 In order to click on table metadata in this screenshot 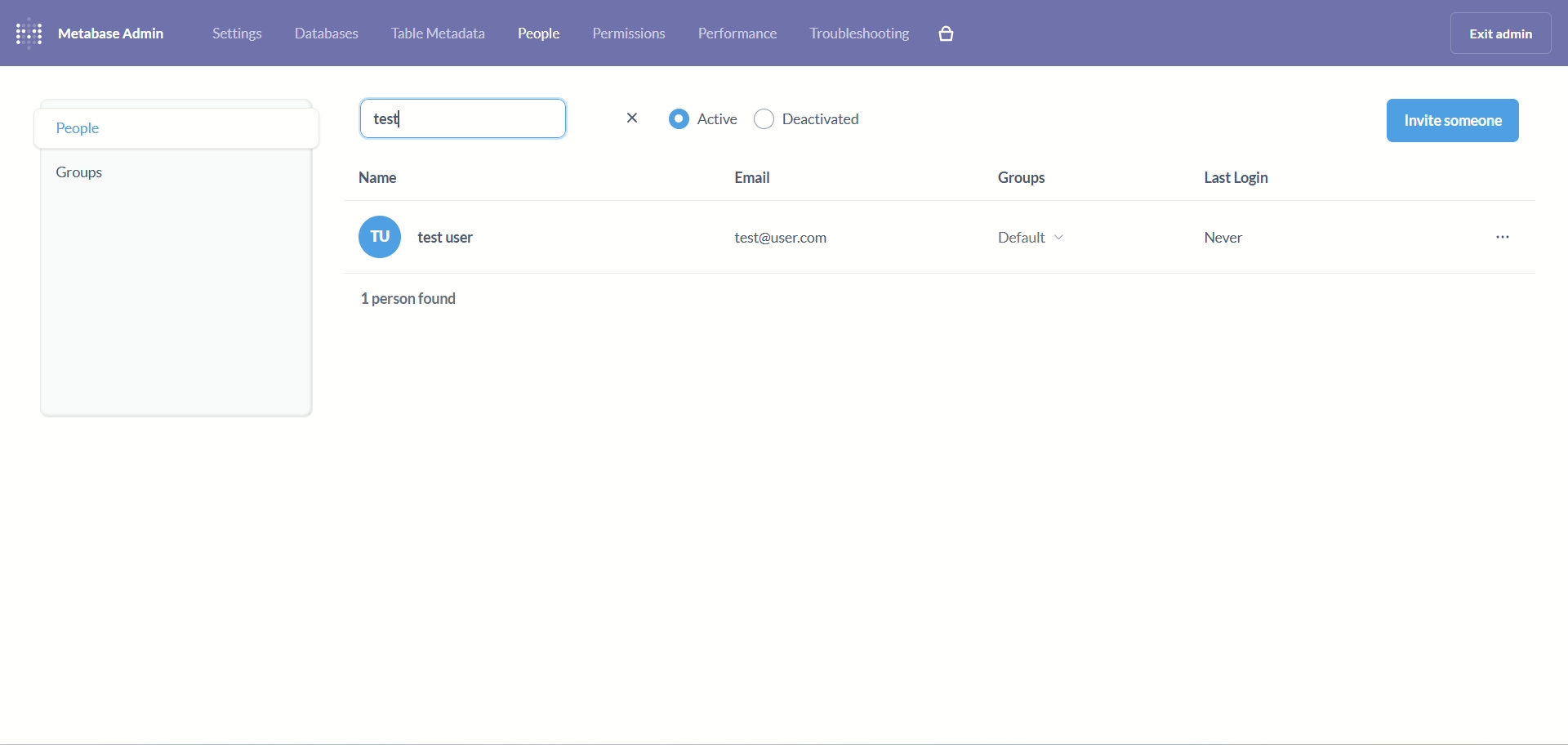, I will do `click(439, 38)`.